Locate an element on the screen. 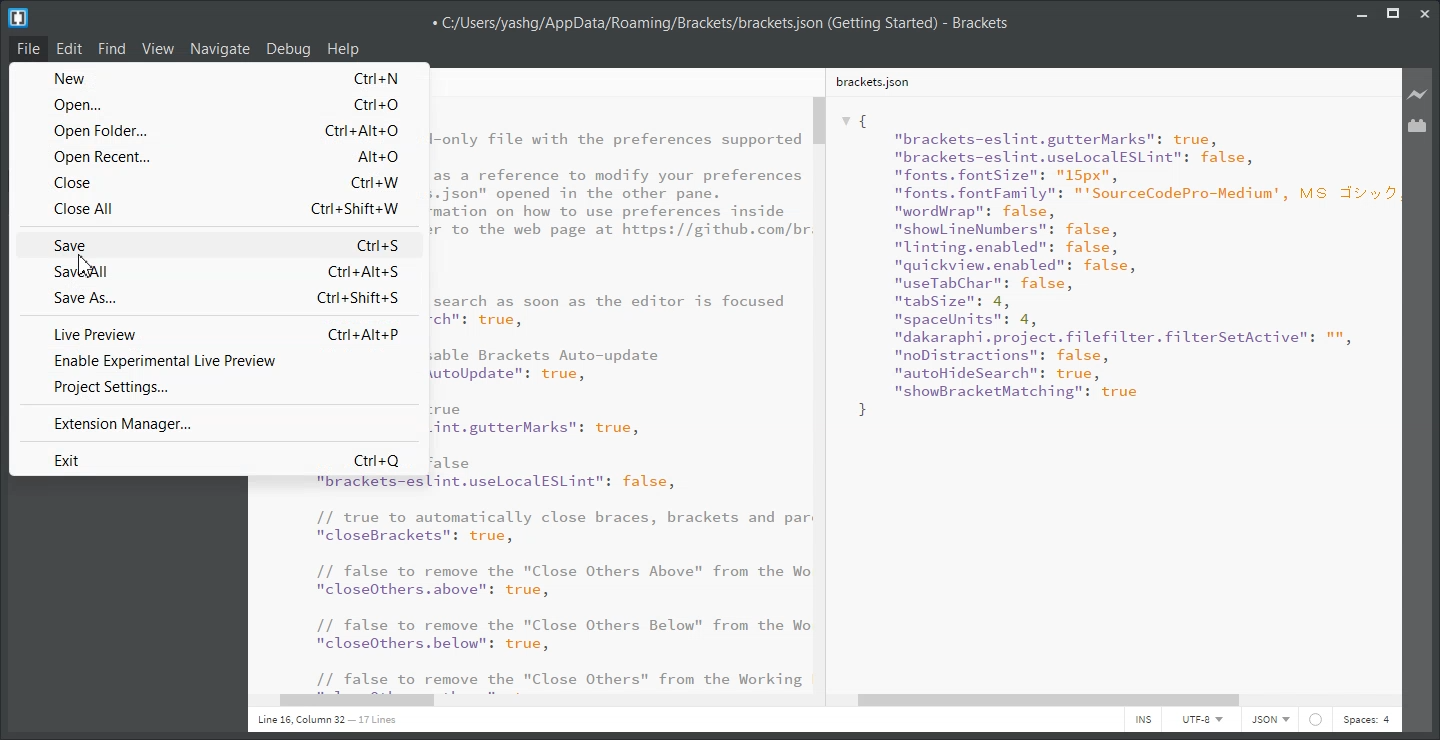  Horizontal Scroll Bar is located at coordinates (1116, 697).